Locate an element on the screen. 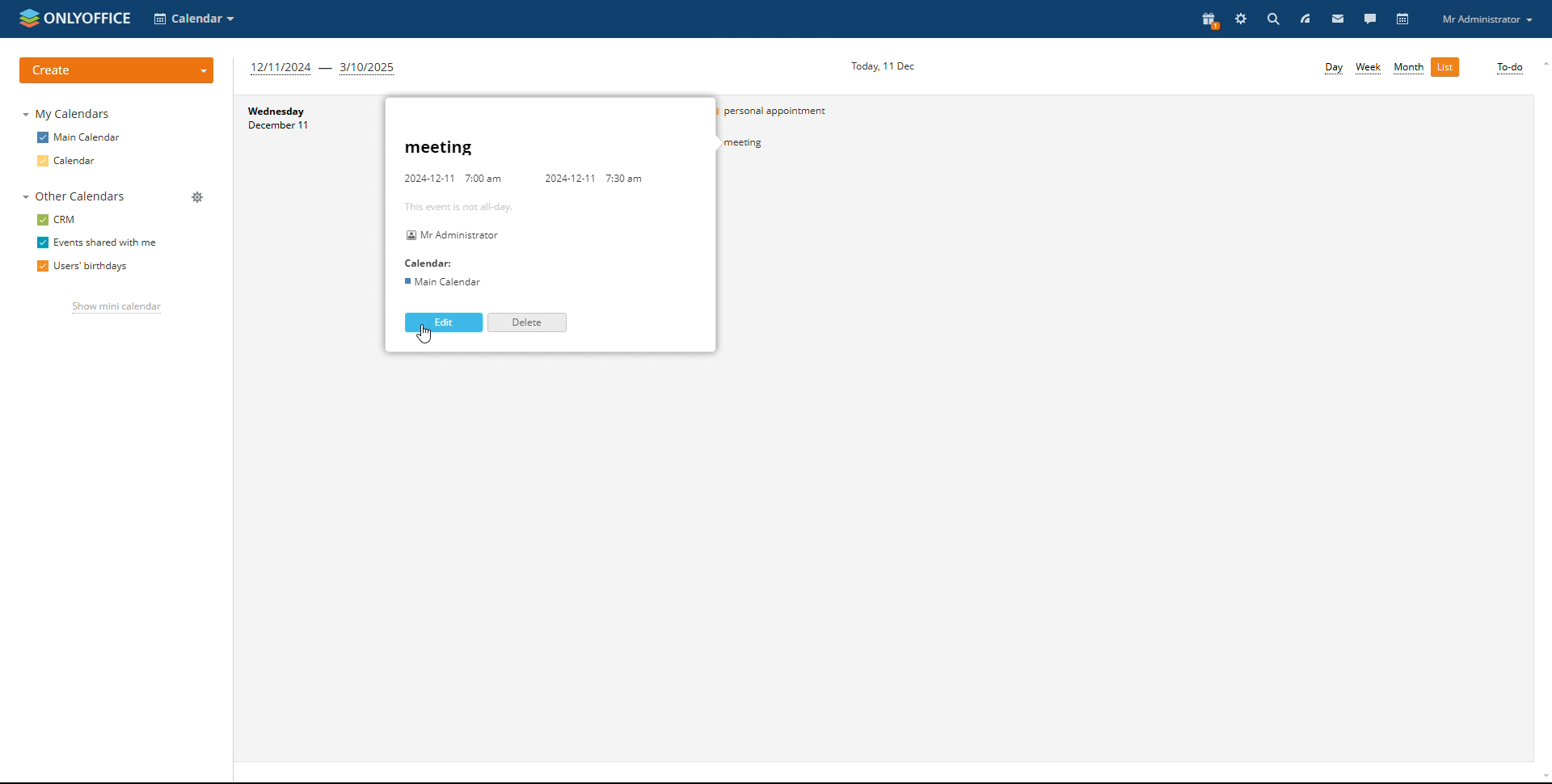 The image size is (1552, 784). my calendars is located at coordinates (69, 113).